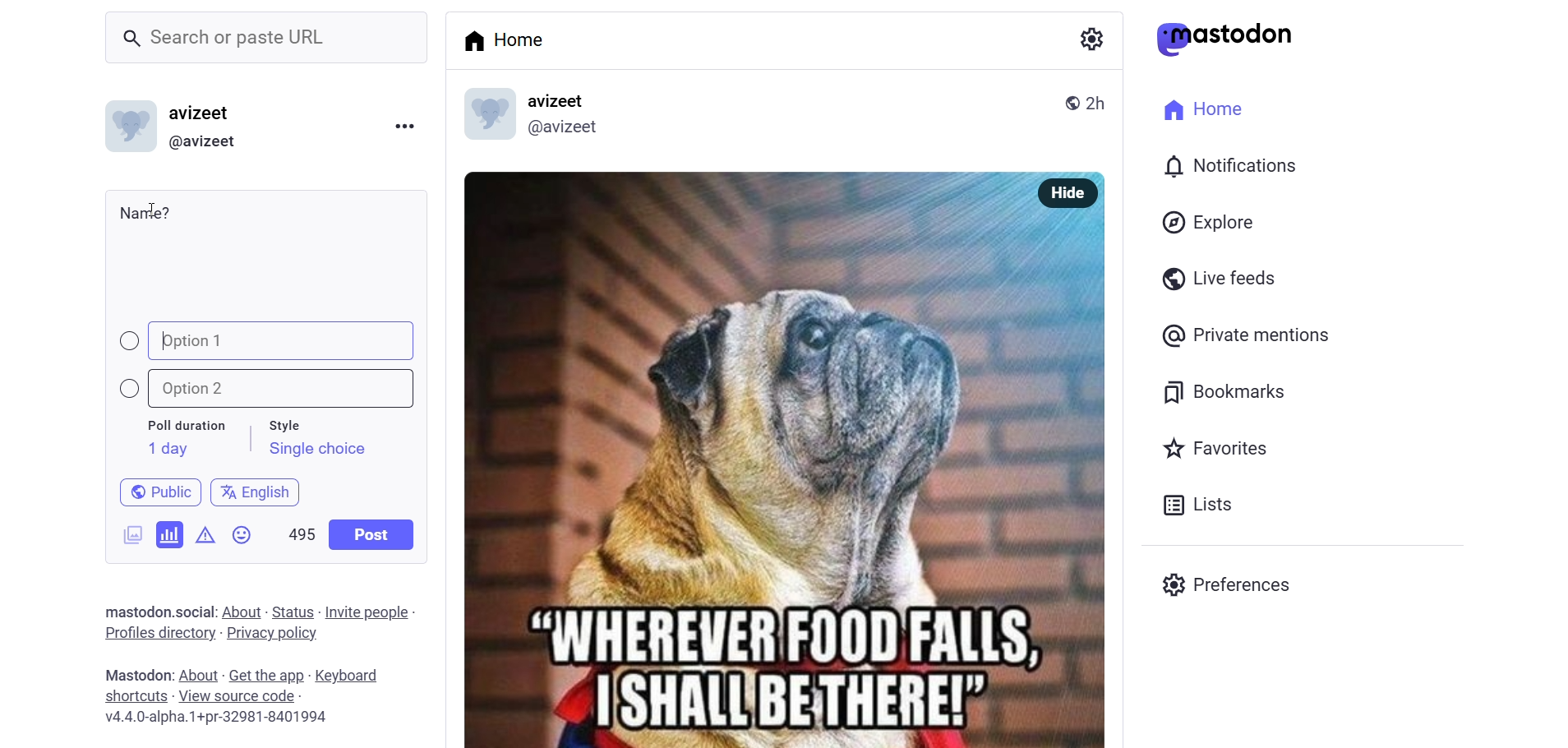  Describe the element at coordinates (1063, 193) in the screenshot. I see `hide` at that location.